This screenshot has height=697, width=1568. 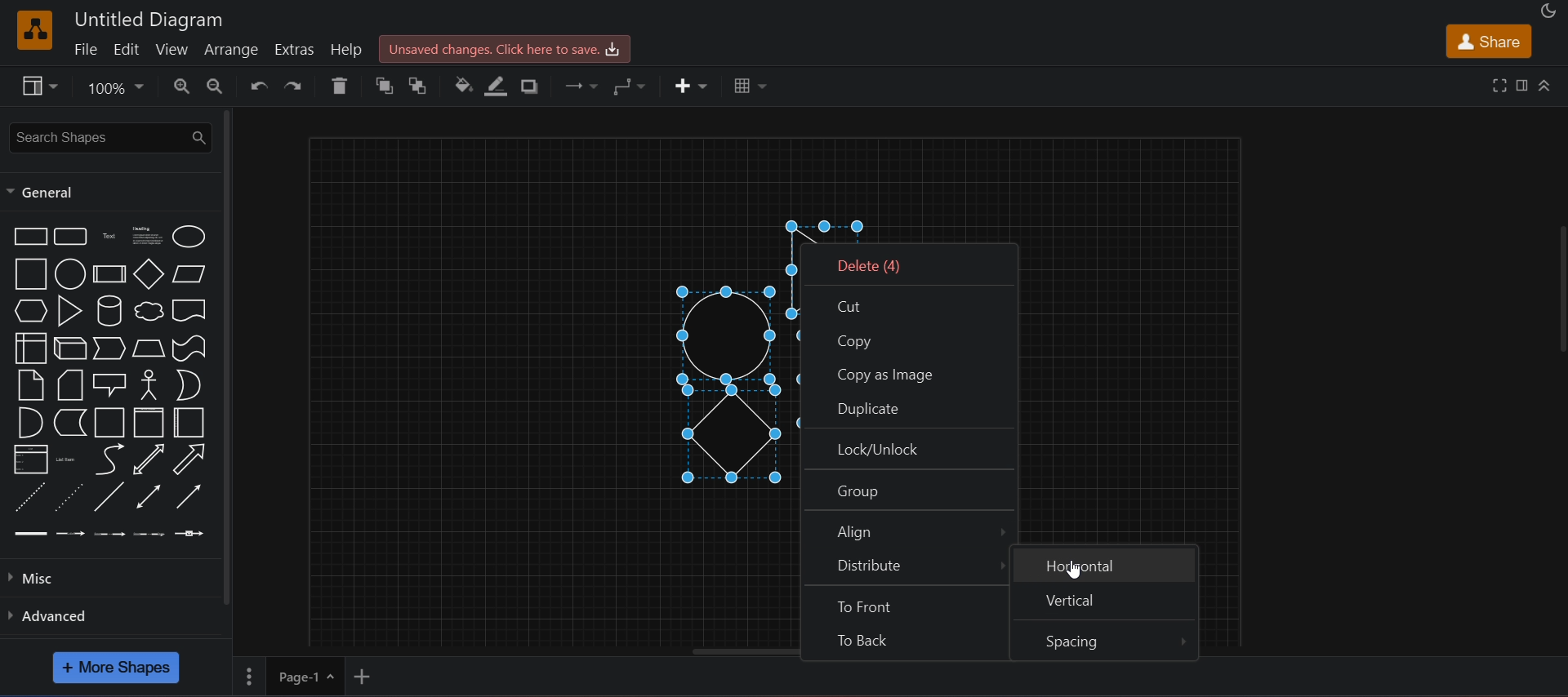 I want to click on cursor, so click(x=1076, y=570).